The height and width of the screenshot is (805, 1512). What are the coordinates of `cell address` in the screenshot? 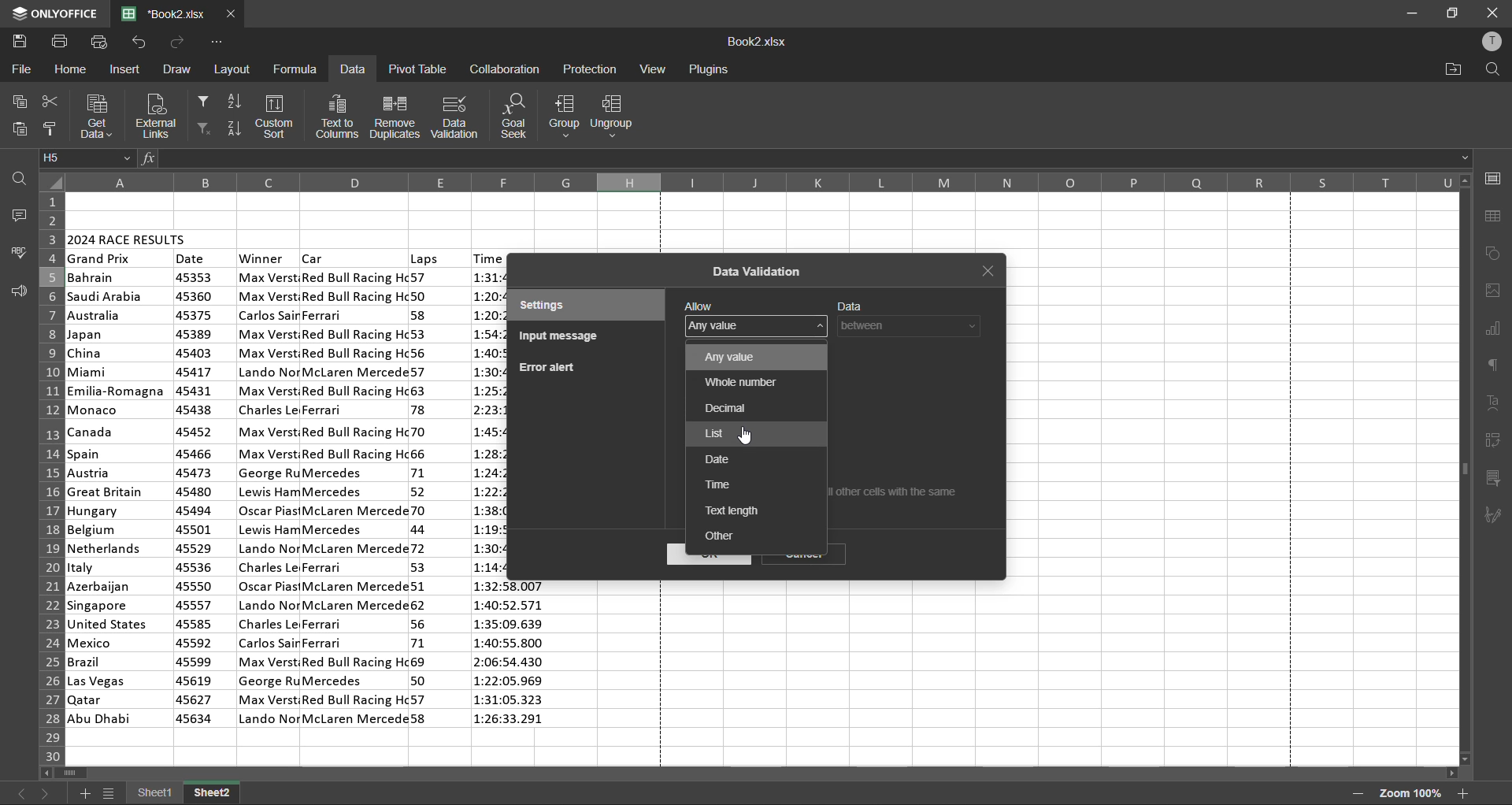 It's located at (87, 158).